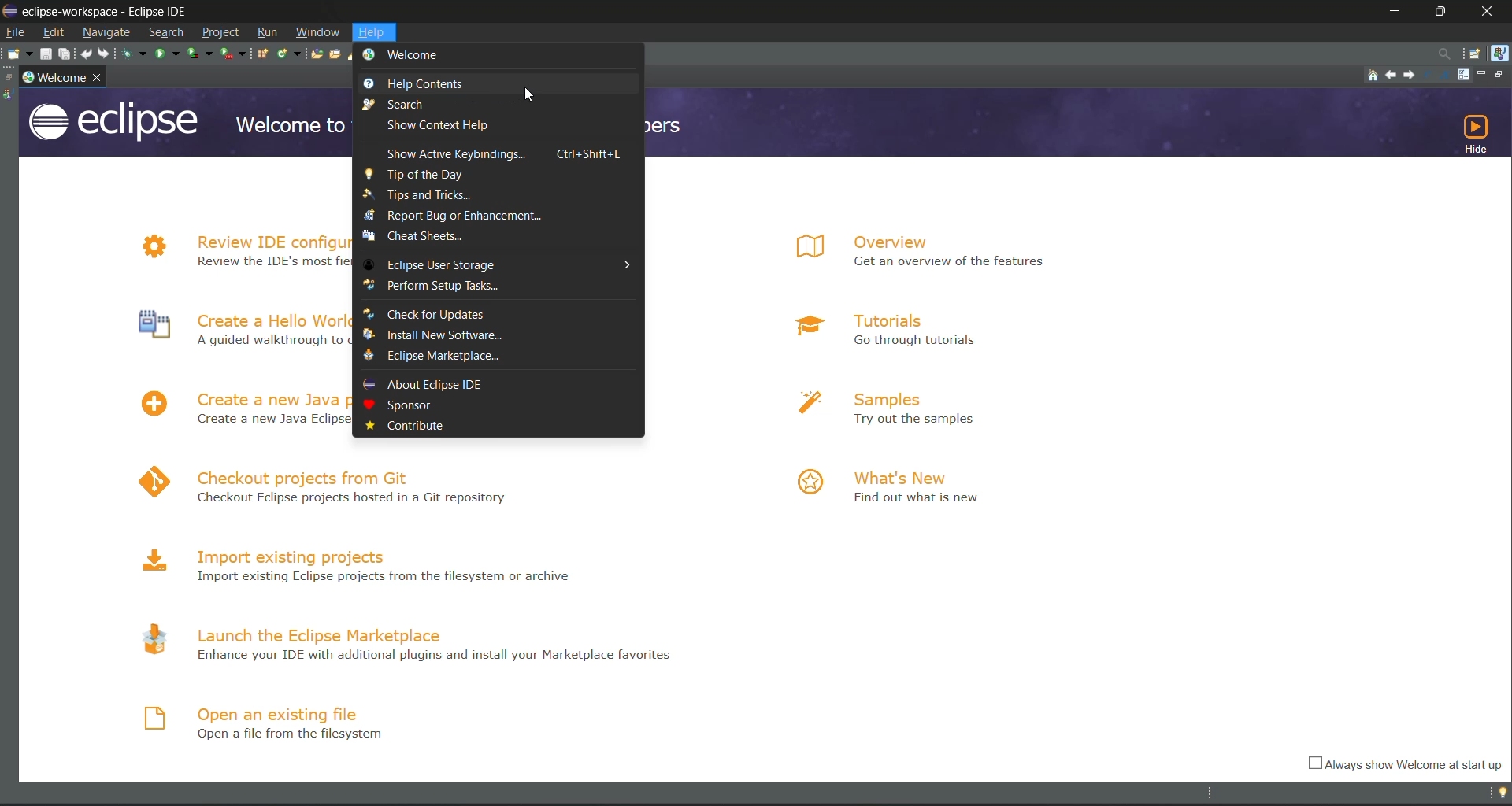  What do you see at coordinates (1427, 75) in the screenshot?
I see `reduce` at bounding box center [1427, 75].